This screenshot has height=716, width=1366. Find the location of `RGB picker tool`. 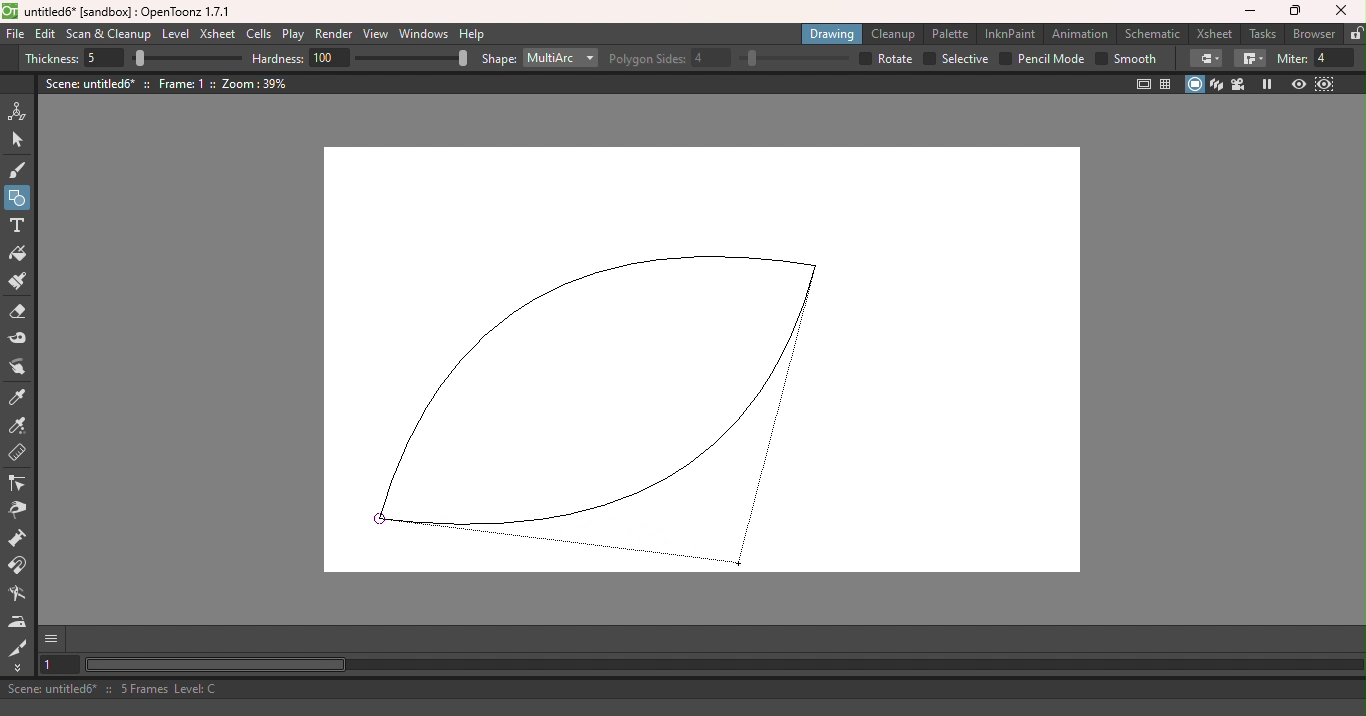

RGB picker tool is located at coordinates (19, 426).